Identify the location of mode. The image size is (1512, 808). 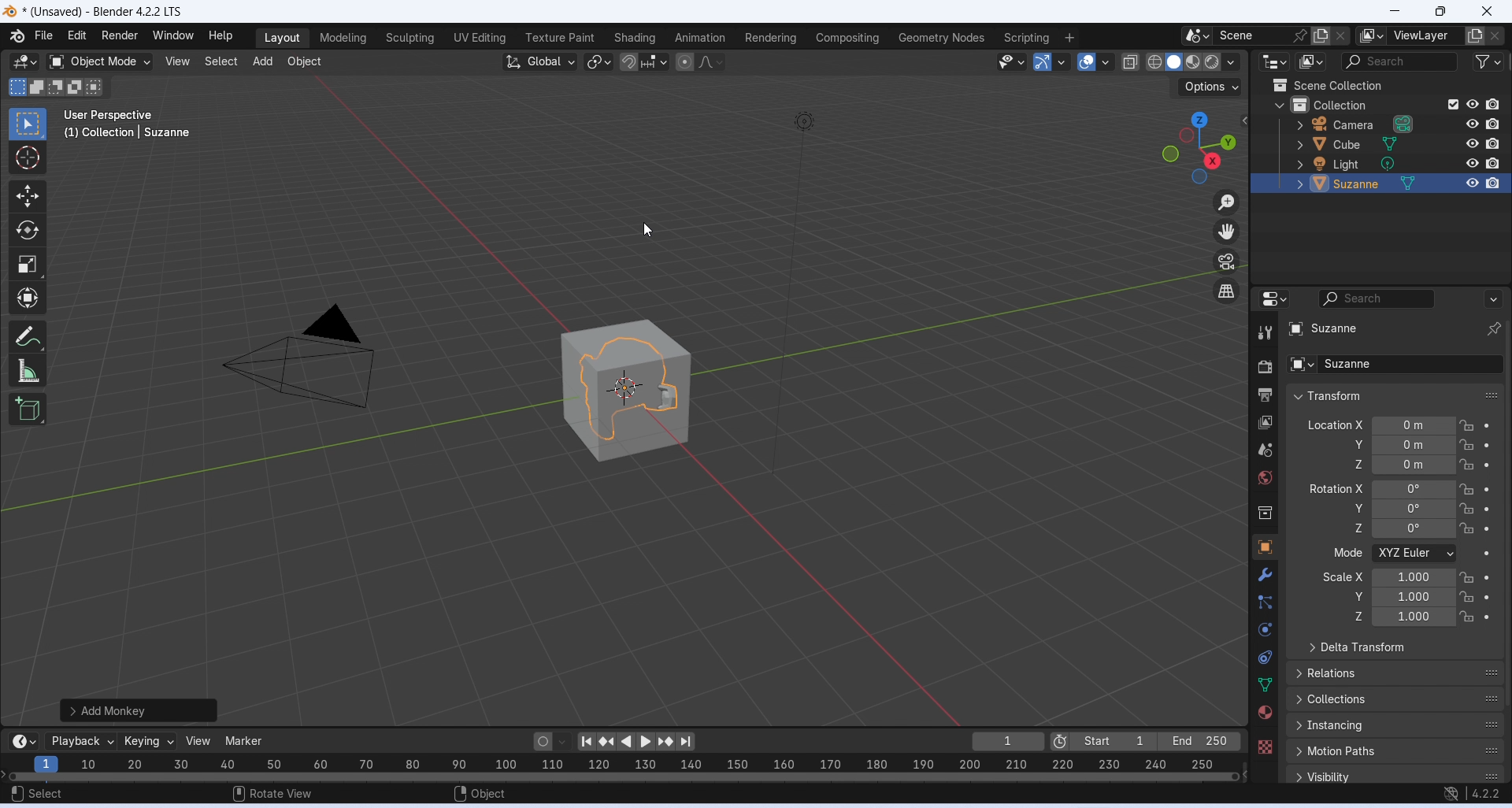
(1346, 554).